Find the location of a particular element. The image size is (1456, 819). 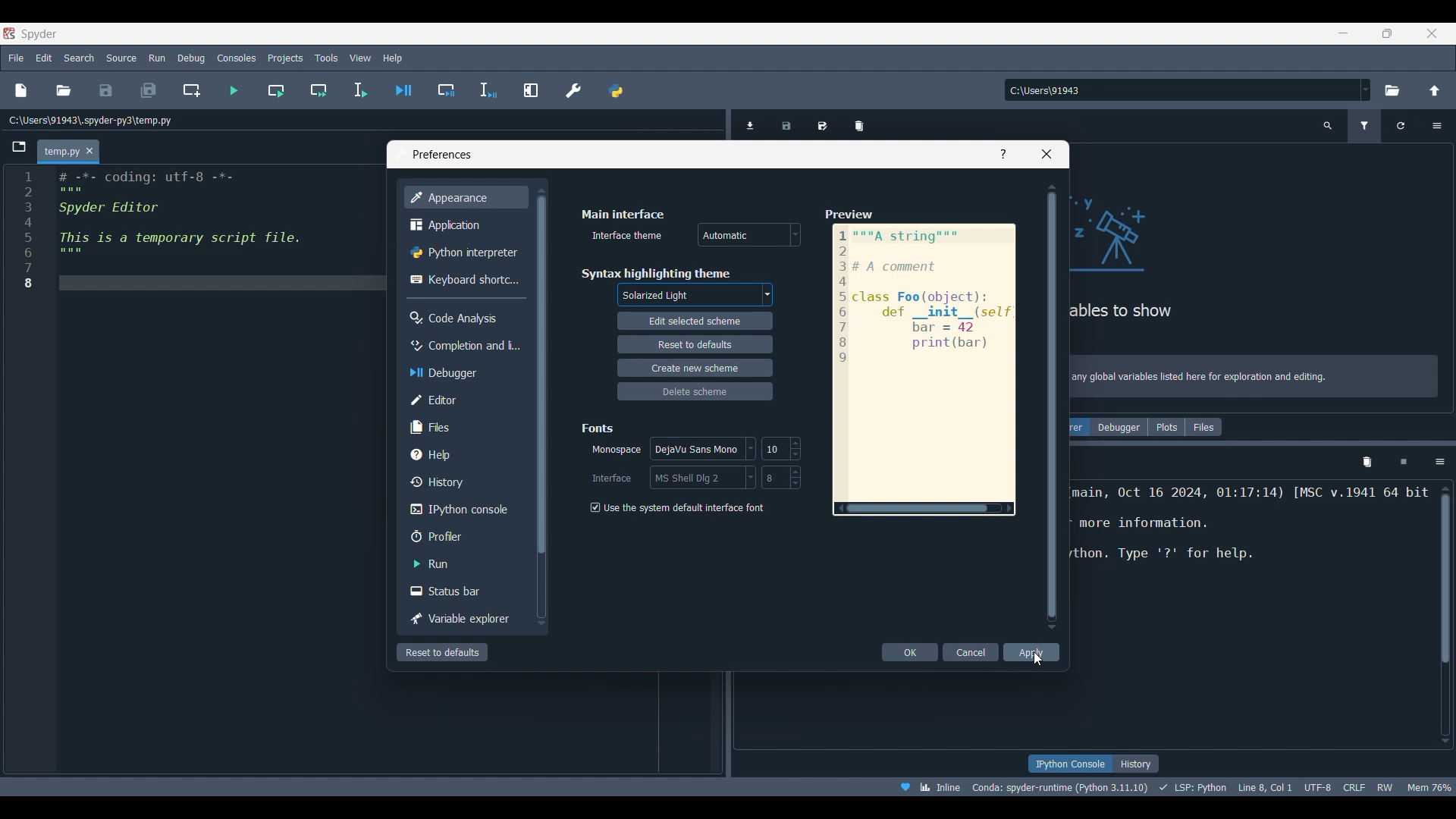

Run file is located at coordinates (234, 90).